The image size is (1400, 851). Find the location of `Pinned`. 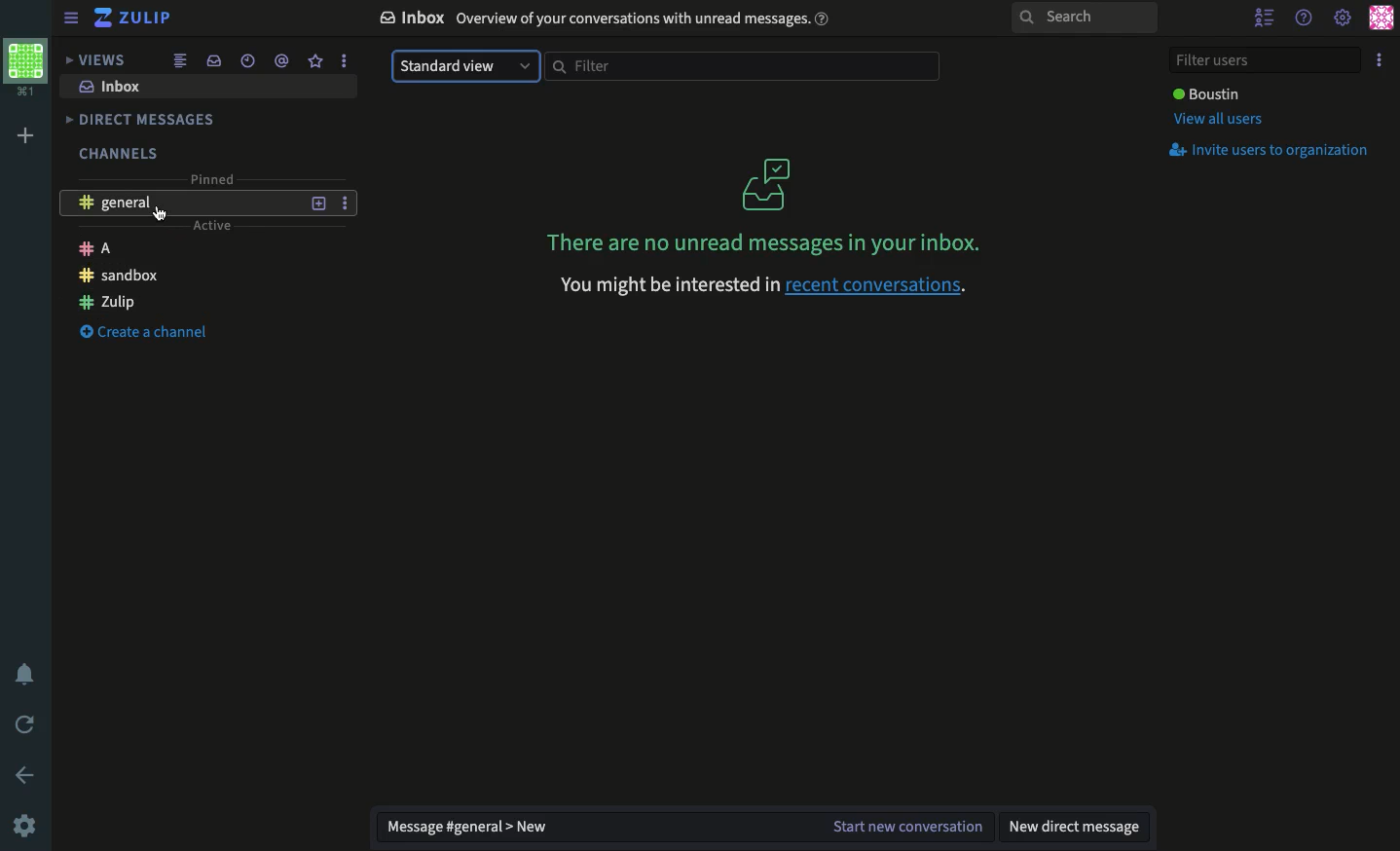

Pinned is located at coordinates (216, 178).